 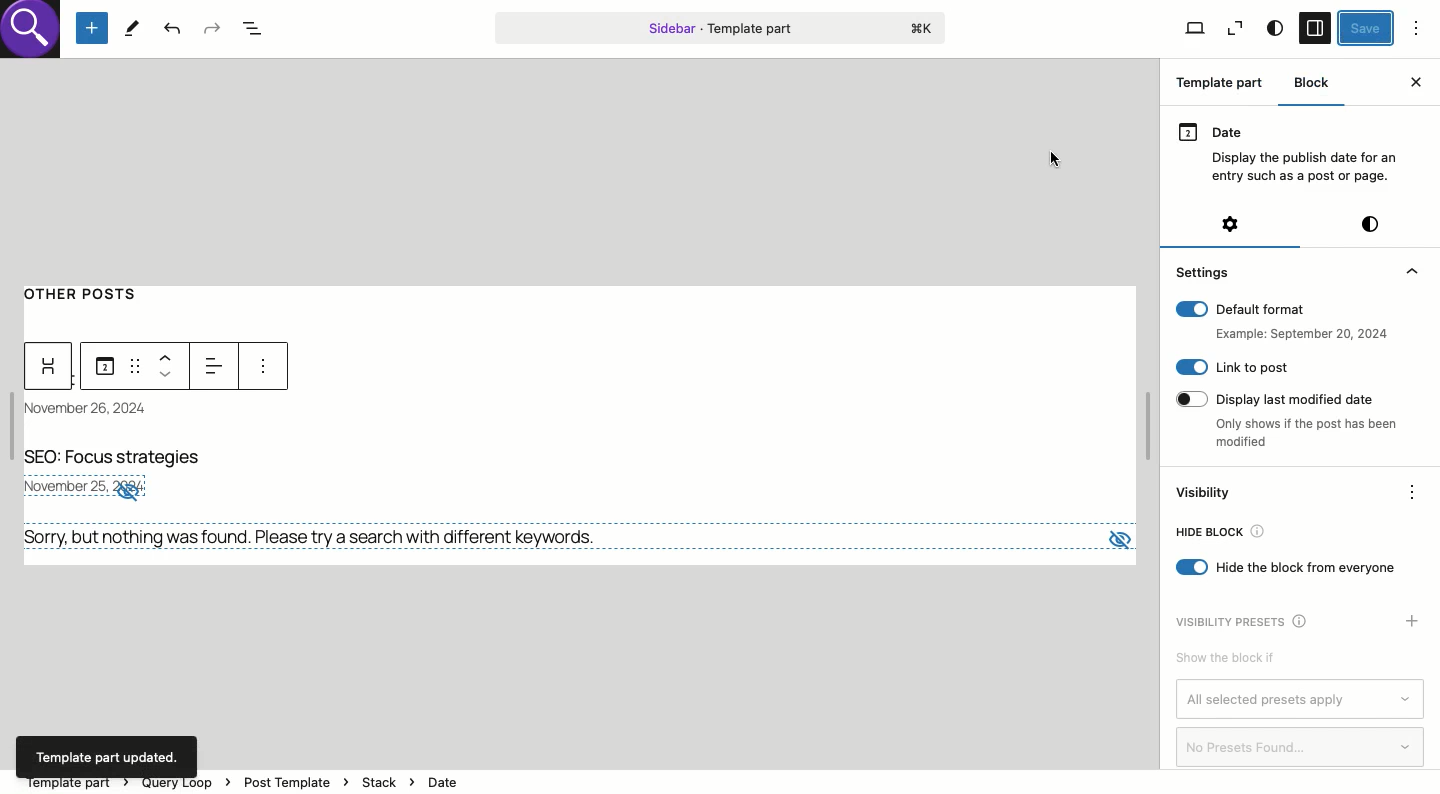 I want to click on Tools, so click(x=132, y=27).